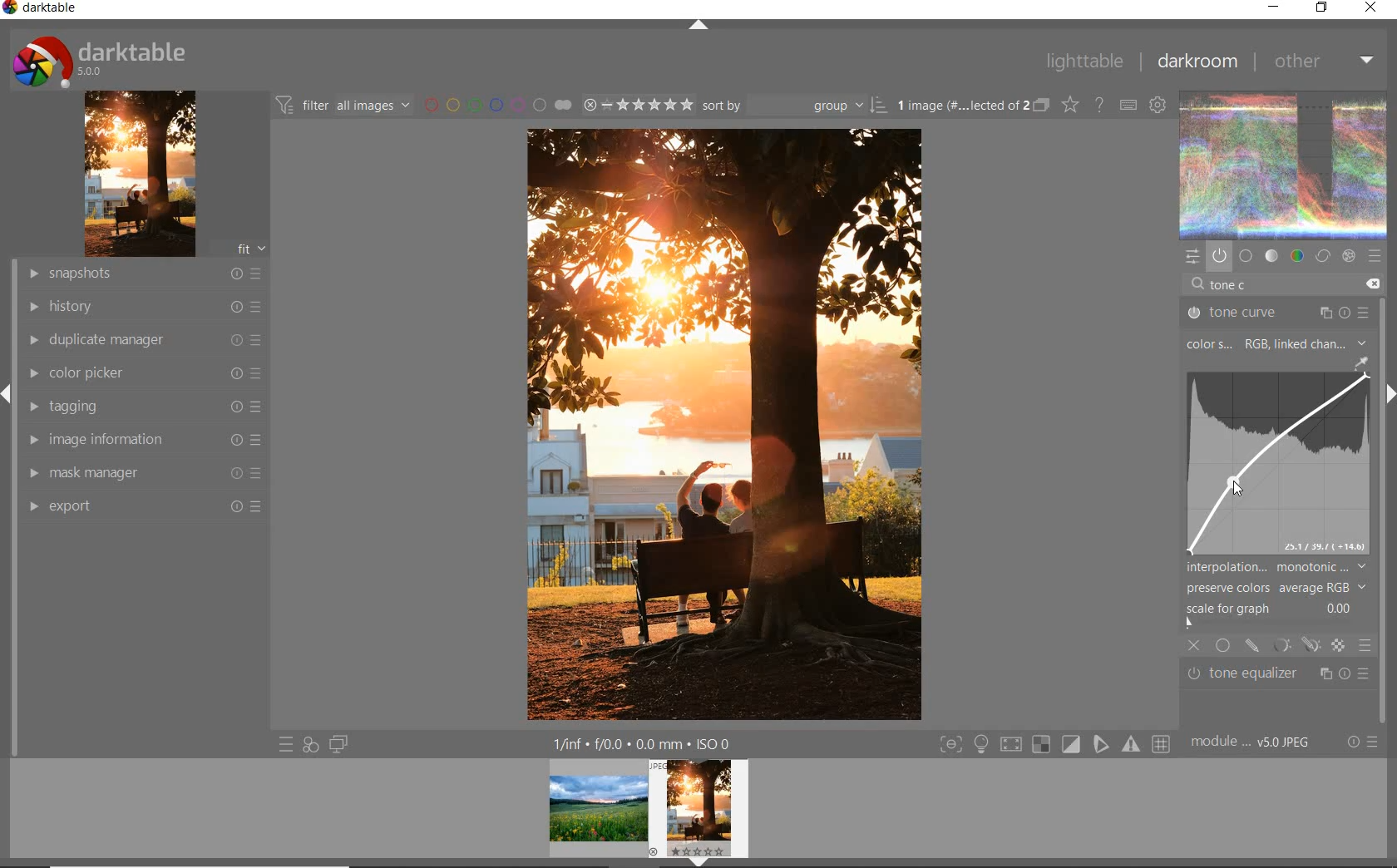 This screenshot has width=1397, height=868. What do you see at coordinates (143, 476) in the screenshot?
I see `mask manager` at bounding box center [143, 476].